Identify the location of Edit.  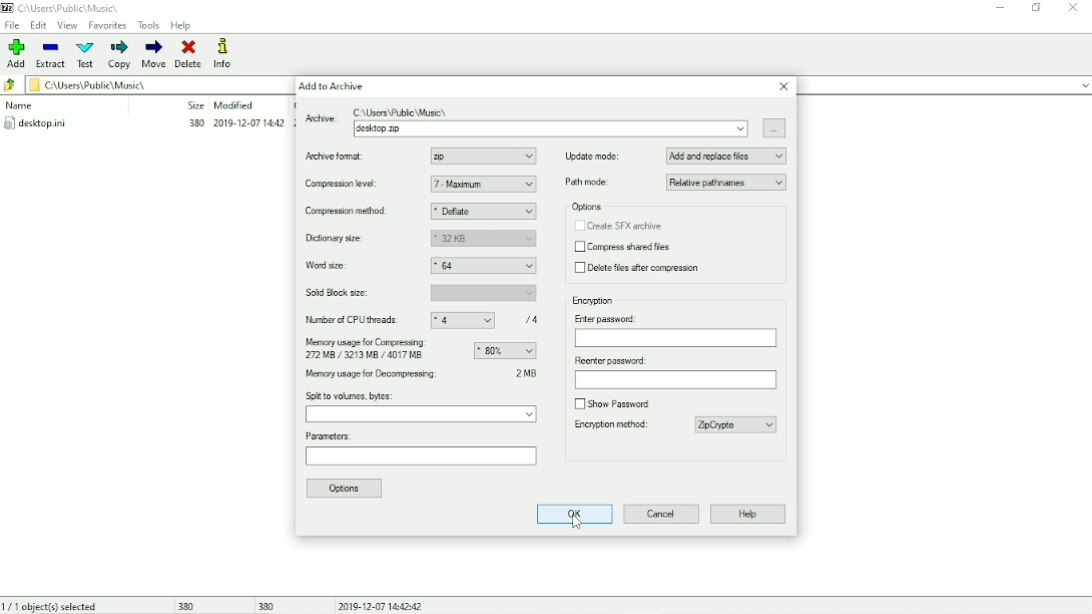
(39, 25).